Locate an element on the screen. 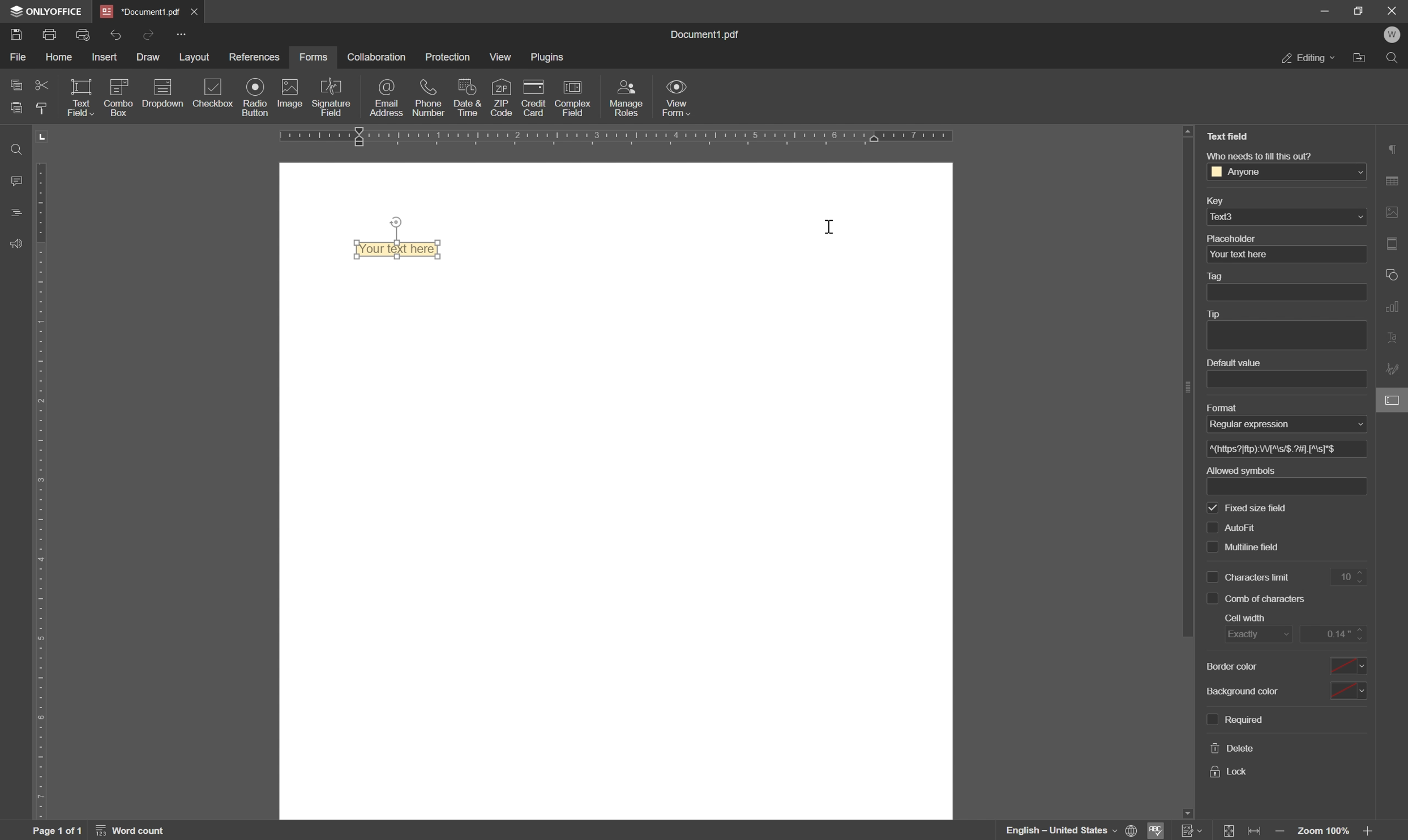 Image resolution: width=1408 pixels, height=840 pixels. header & footer is located at coordinates (1395, 243).